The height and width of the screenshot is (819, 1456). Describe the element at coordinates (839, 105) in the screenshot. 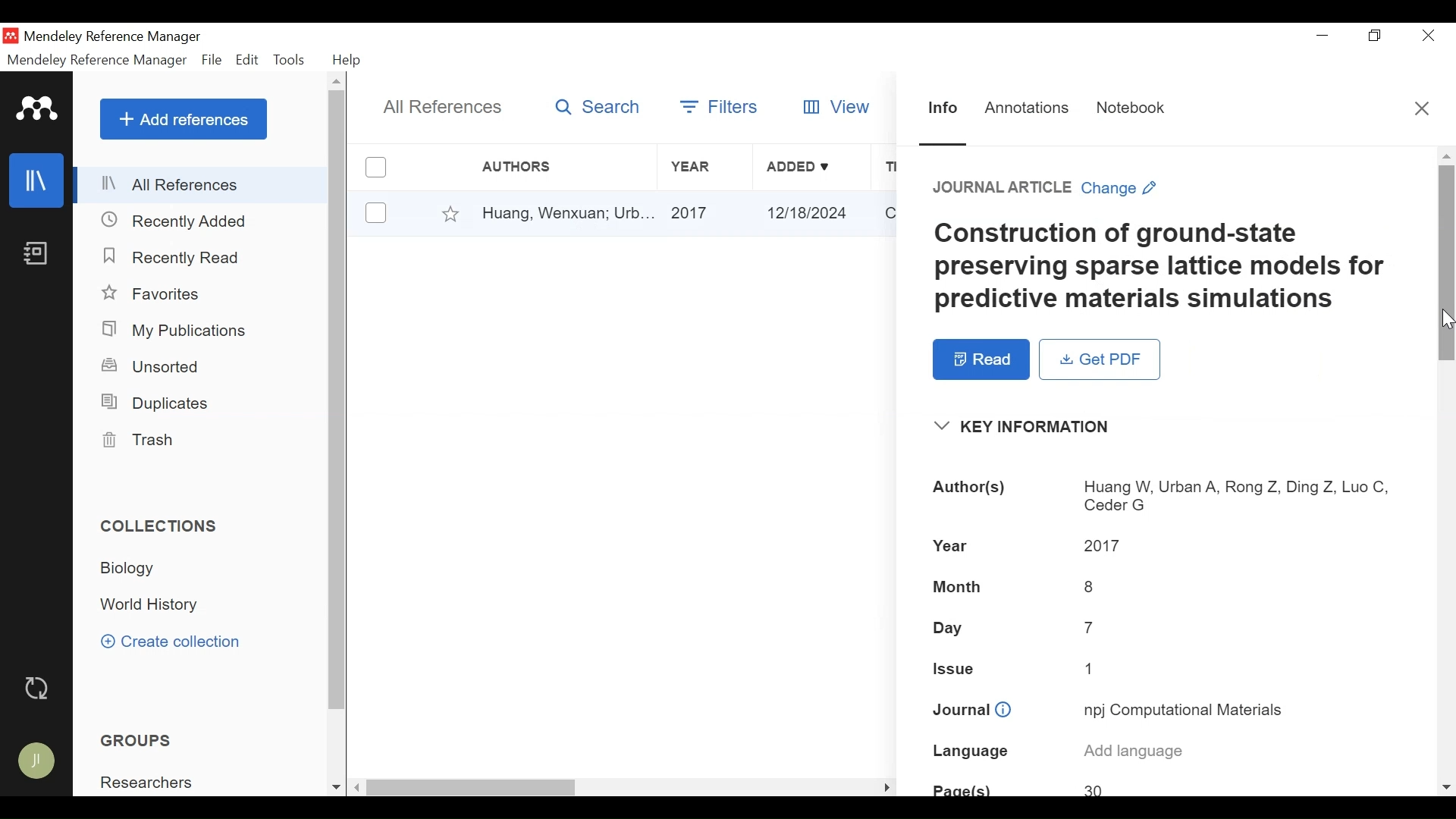

I see `View` at that location.